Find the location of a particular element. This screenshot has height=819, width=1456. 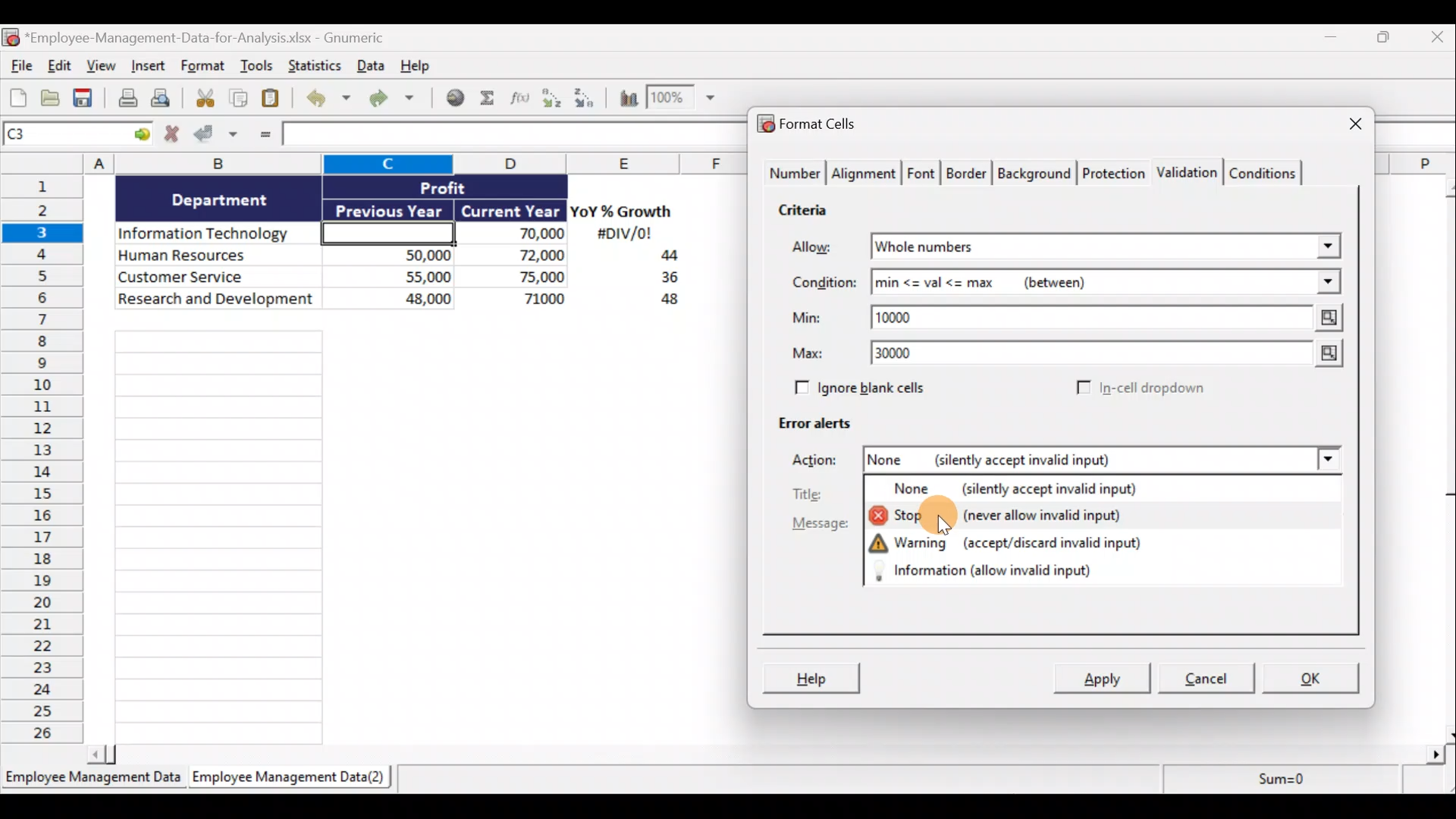

48,000 is located at coordinates (397, 301).